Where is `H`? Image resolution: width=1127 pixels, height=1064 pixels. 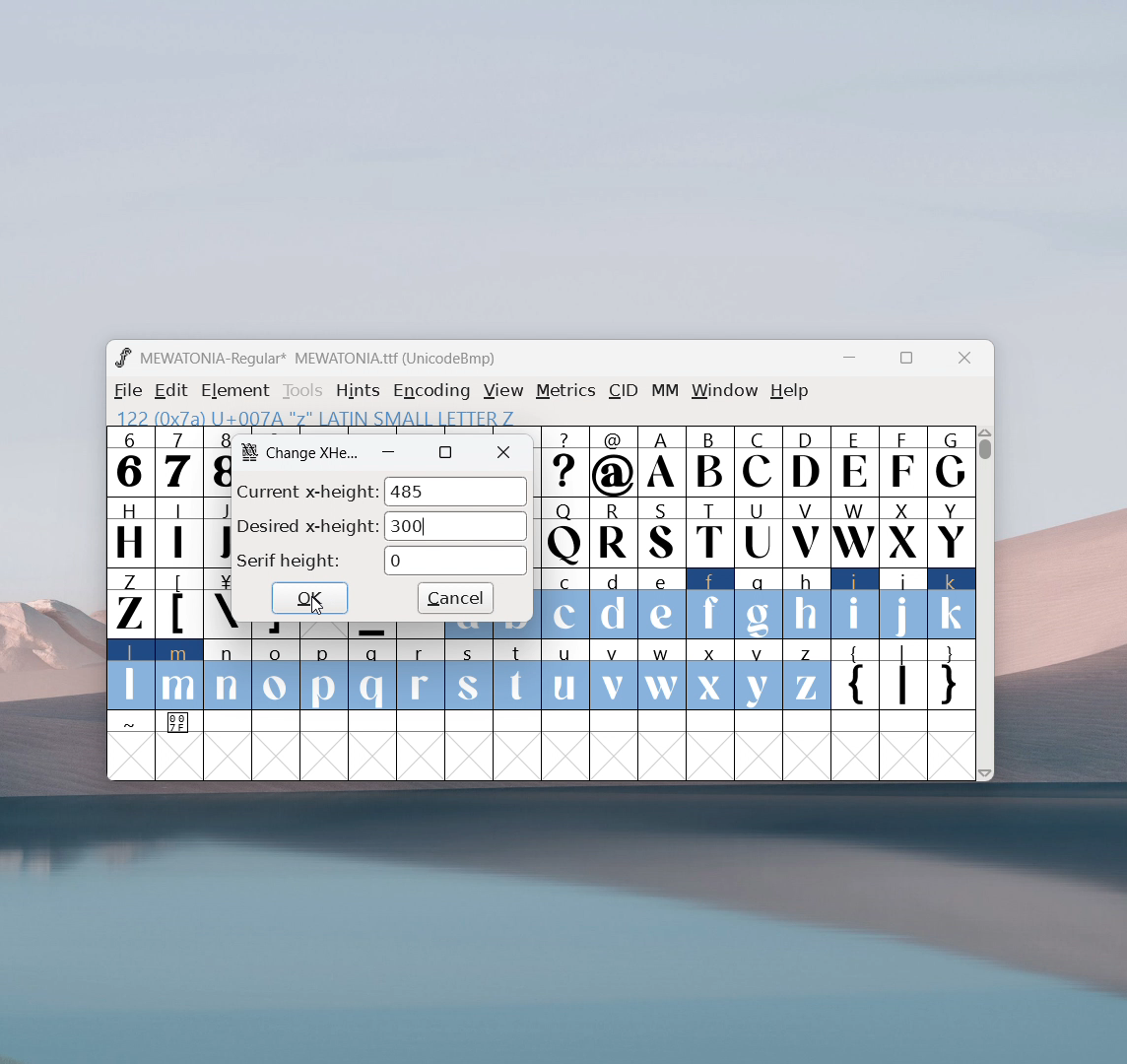
H is located at coordinates (129, 530).